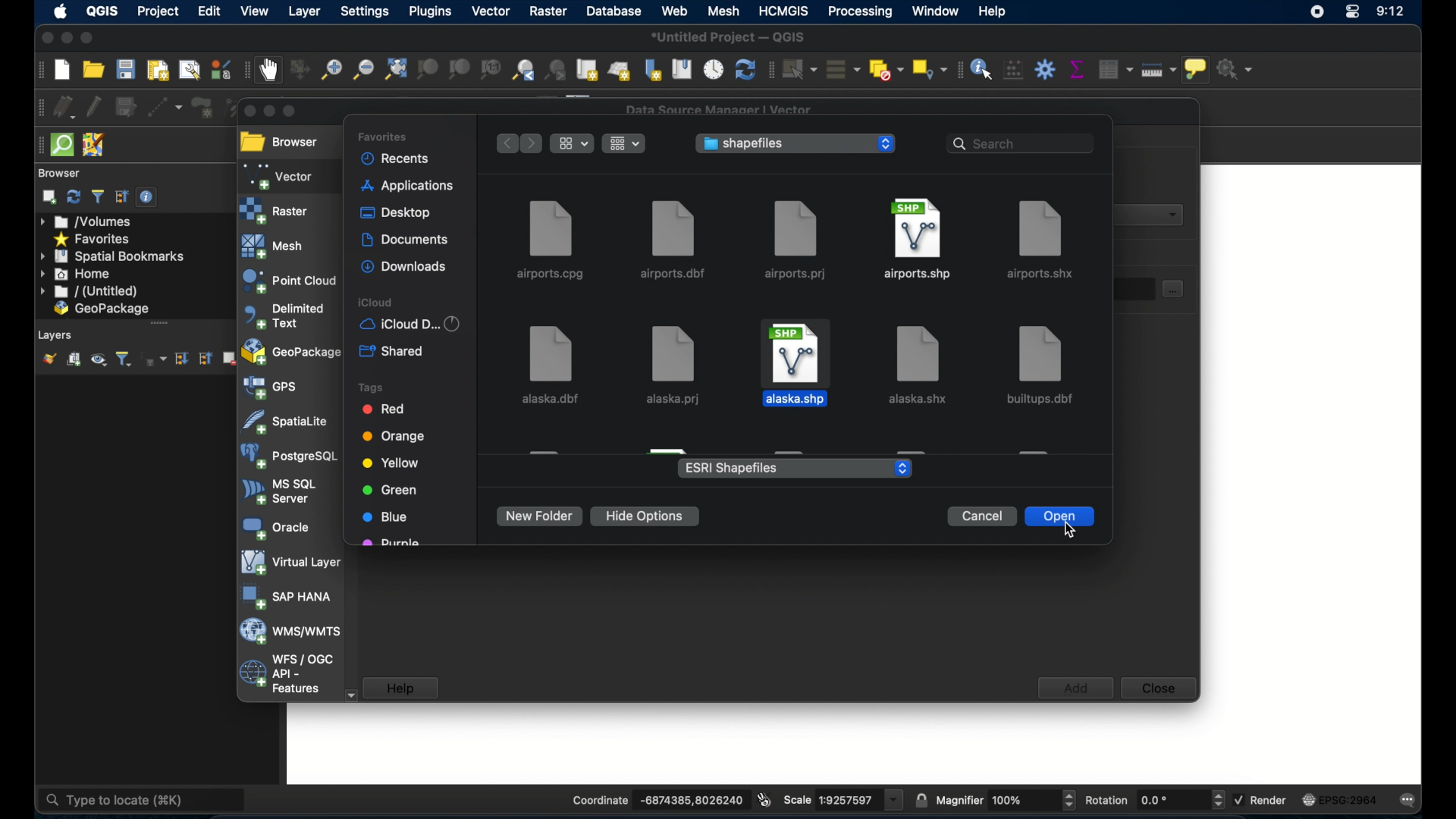 The width and height of the screenshot is (1456, 819). What do you see at coordinates (1040, 240) in the screenshot?
I see `airports.shx` at bounding box center [1040, 240].